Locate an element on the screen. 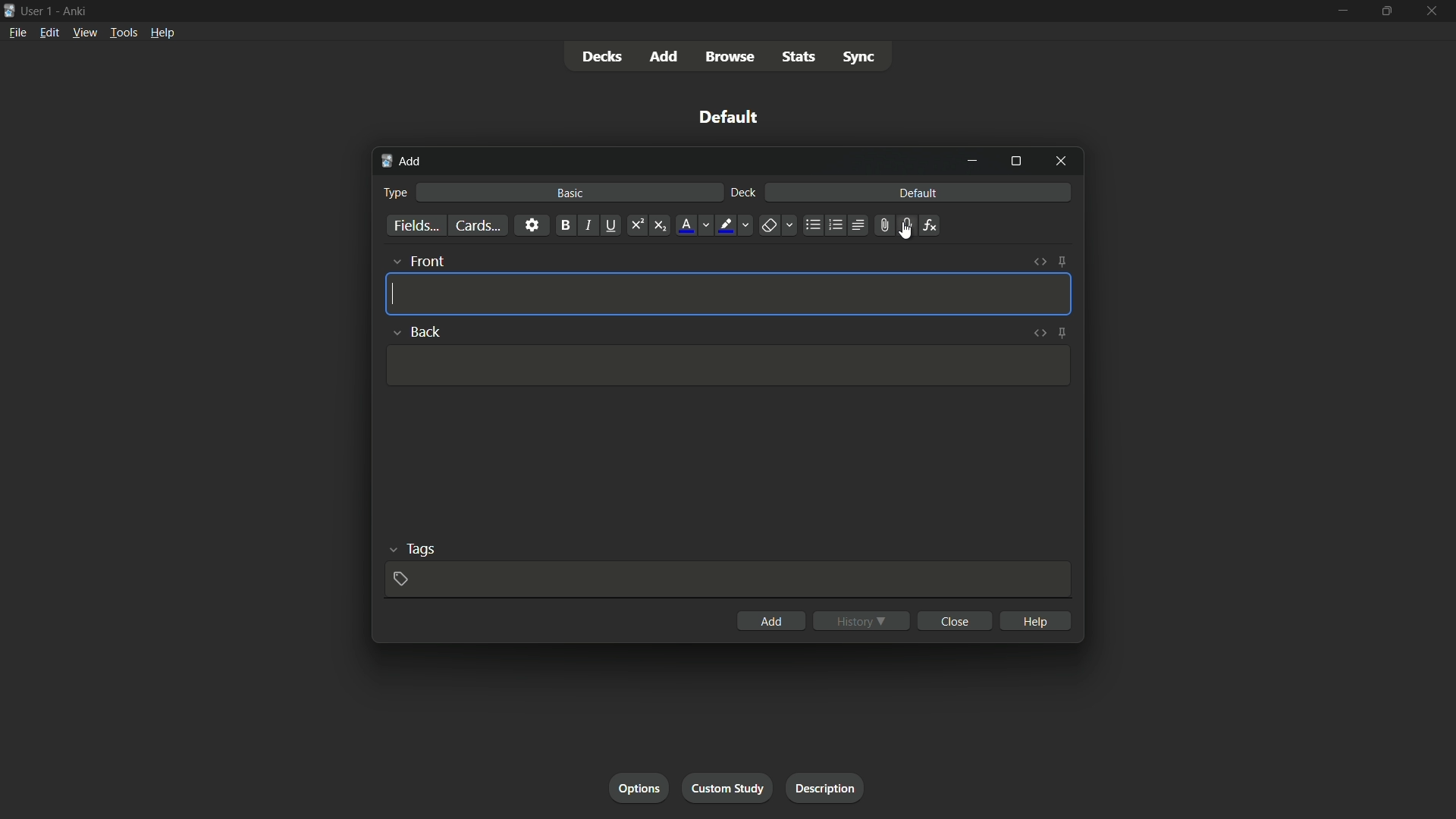 Image resolution: width=1456 pixels, height=819 pixels. deck is located at coordinates (742, 193).